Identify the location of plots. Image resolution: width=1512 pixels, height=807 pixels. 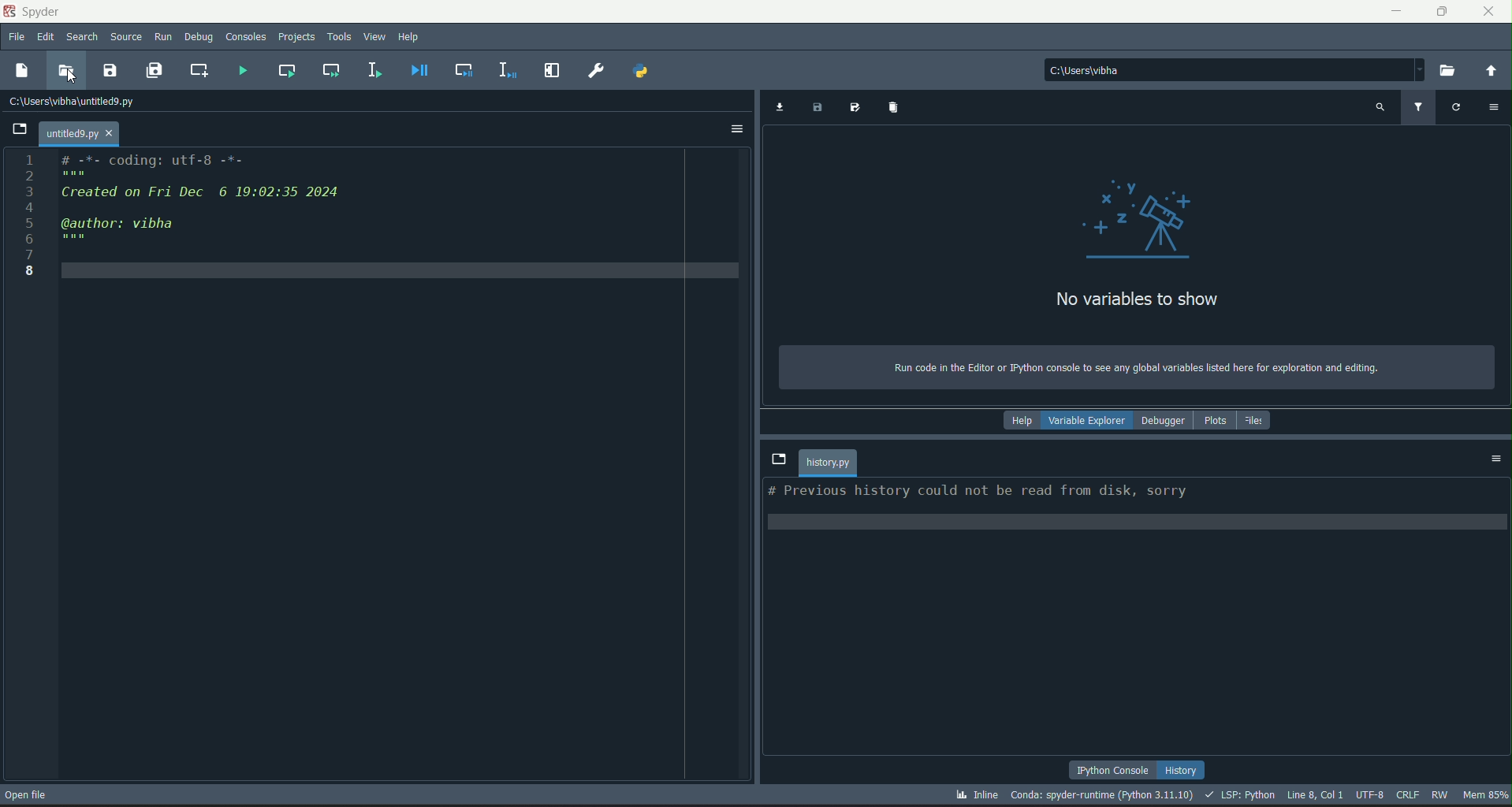
(1216, 419).